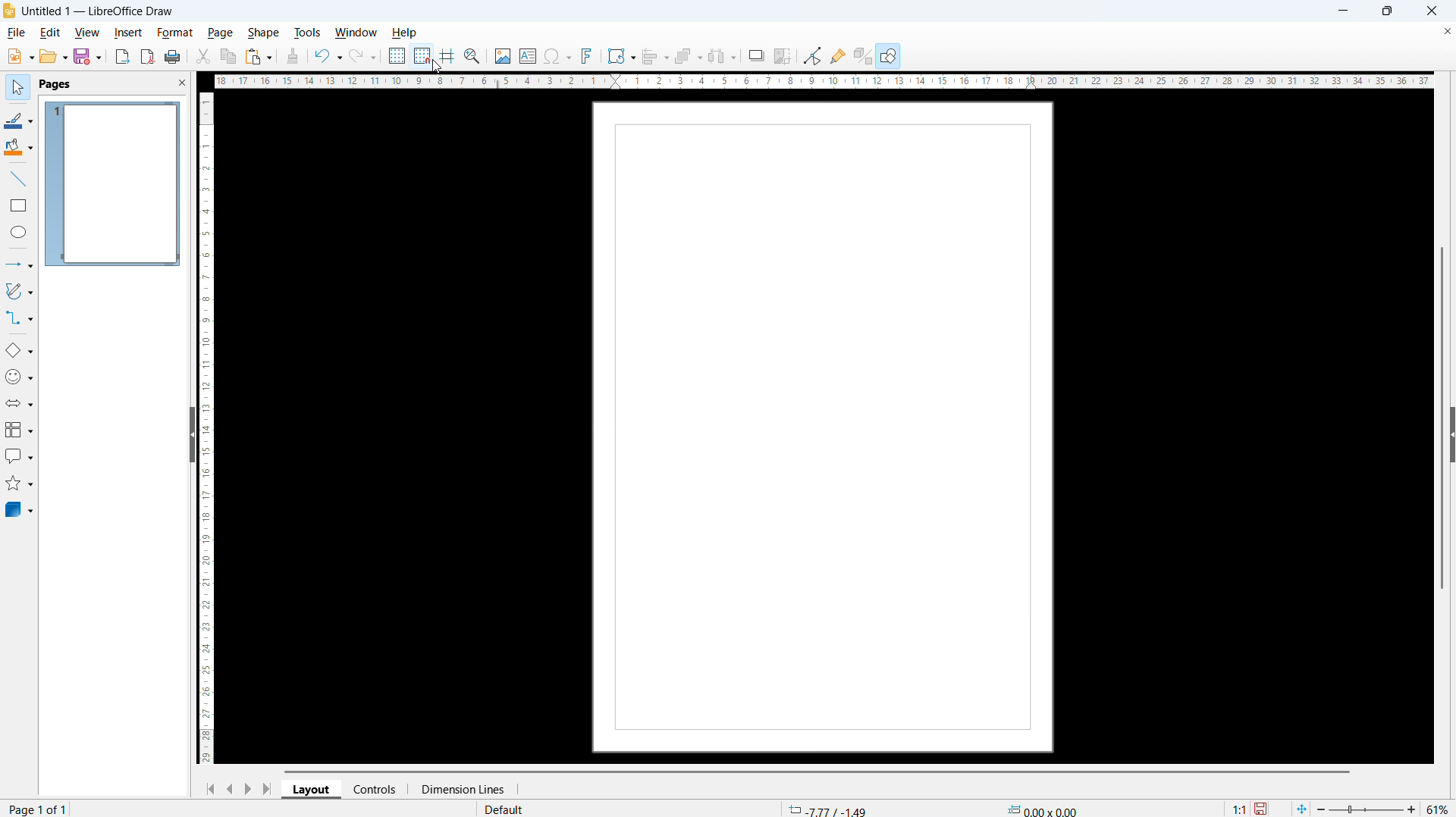 This screenshot has height=817, width=1456. Describe the element at coordinates (56, 83) in the screenshot. I see `pages` at that location.